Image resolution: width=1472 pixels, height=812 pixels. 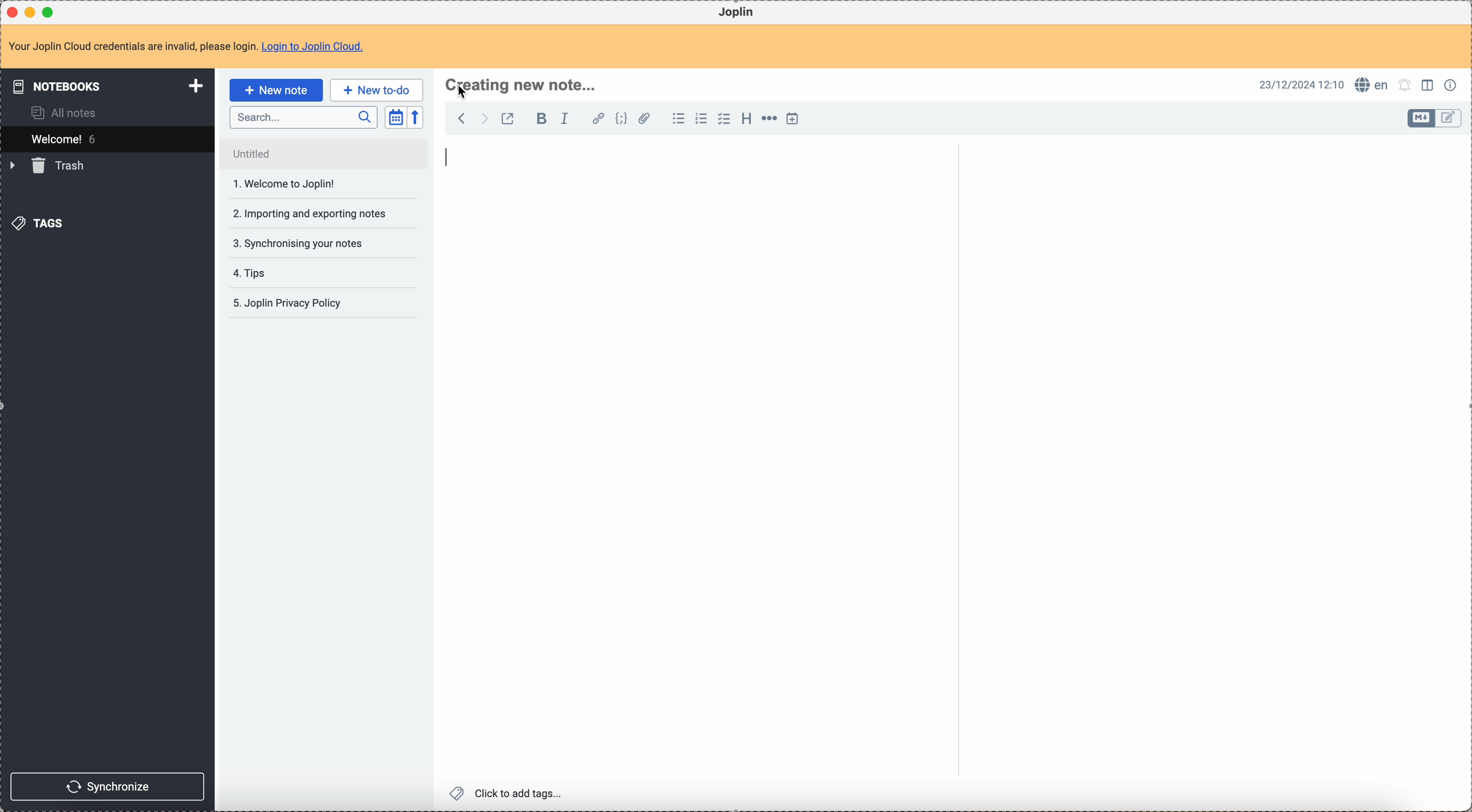 I want to click on hyperlink, so click(x=598, y=119).